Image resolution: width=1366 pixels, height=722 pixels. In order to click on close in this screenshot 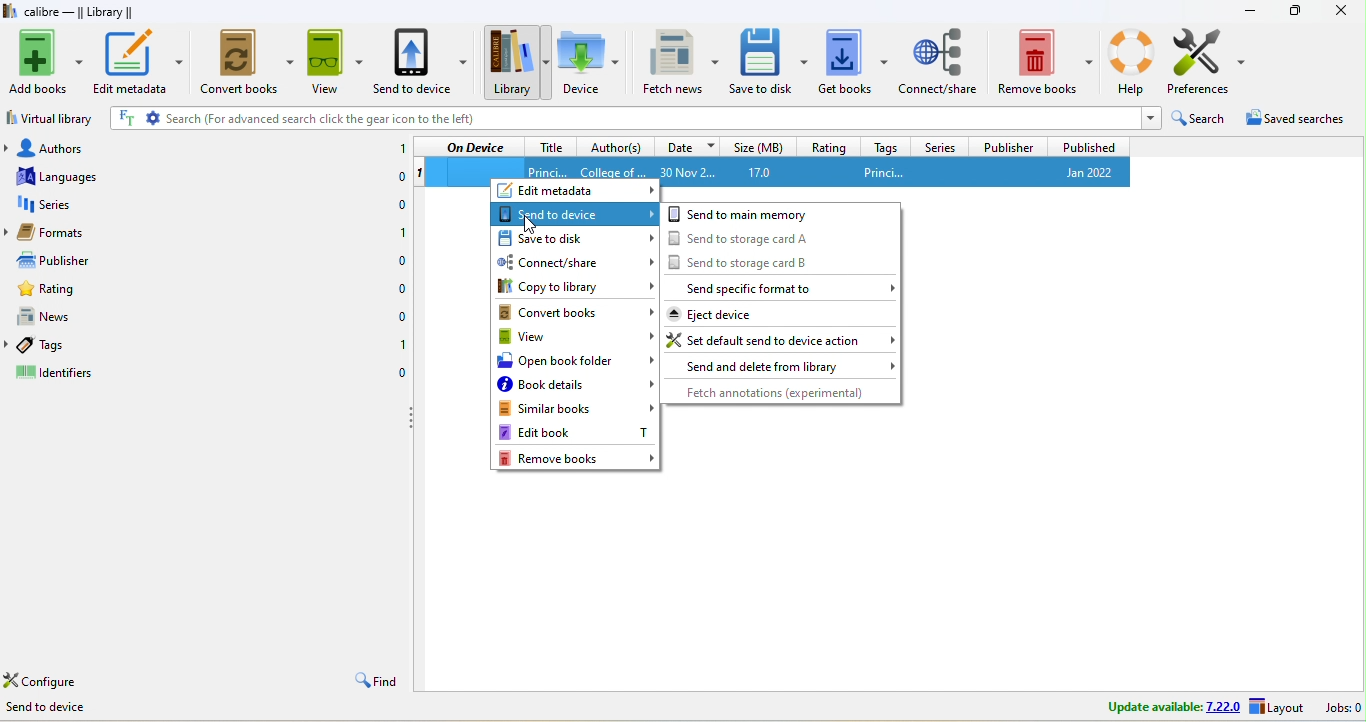, I will do `click(1340, 11)`.